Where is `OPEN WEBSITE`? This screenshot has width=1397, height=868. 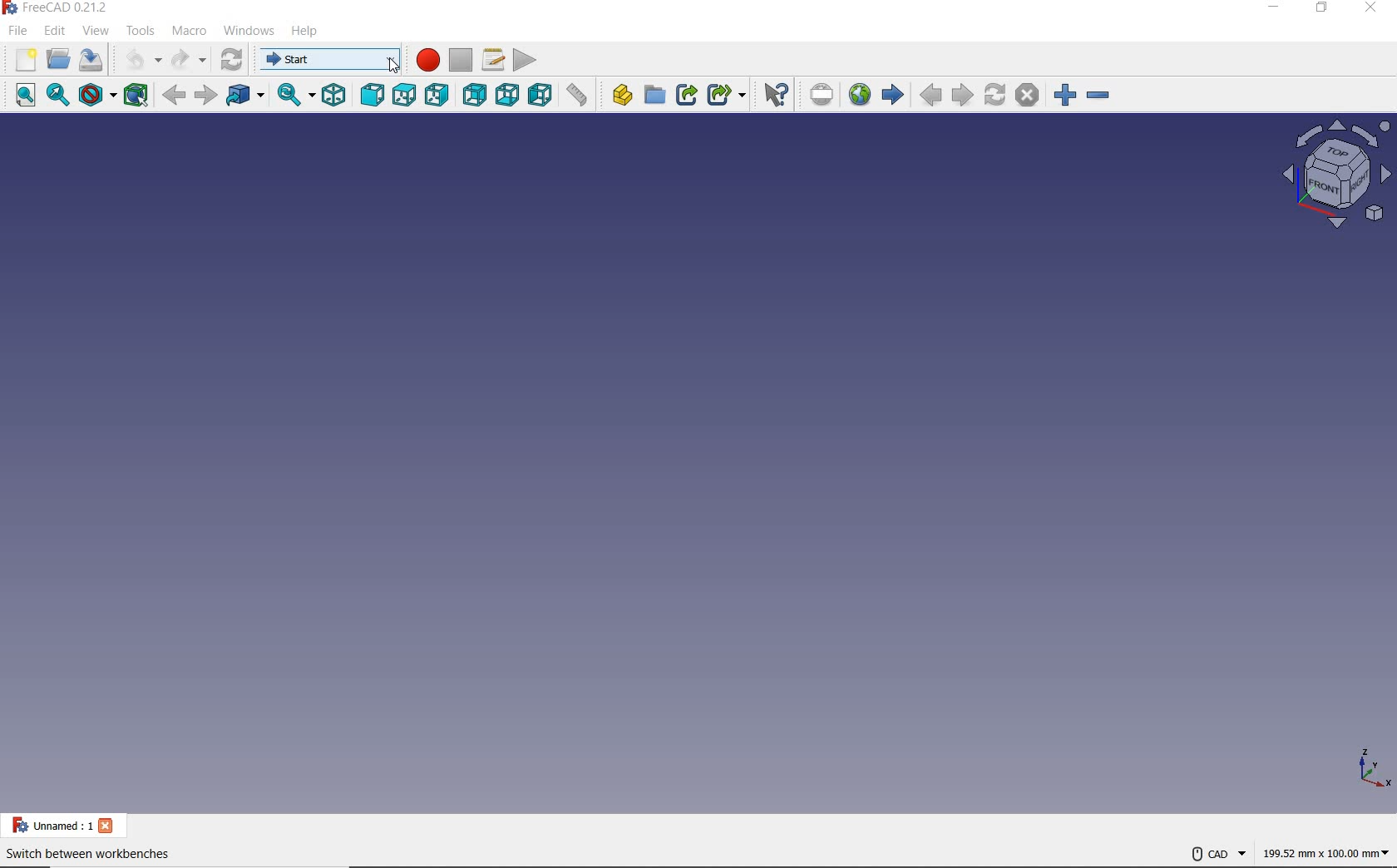
OPEN WEBSITE is located at coordinates (859, 94).